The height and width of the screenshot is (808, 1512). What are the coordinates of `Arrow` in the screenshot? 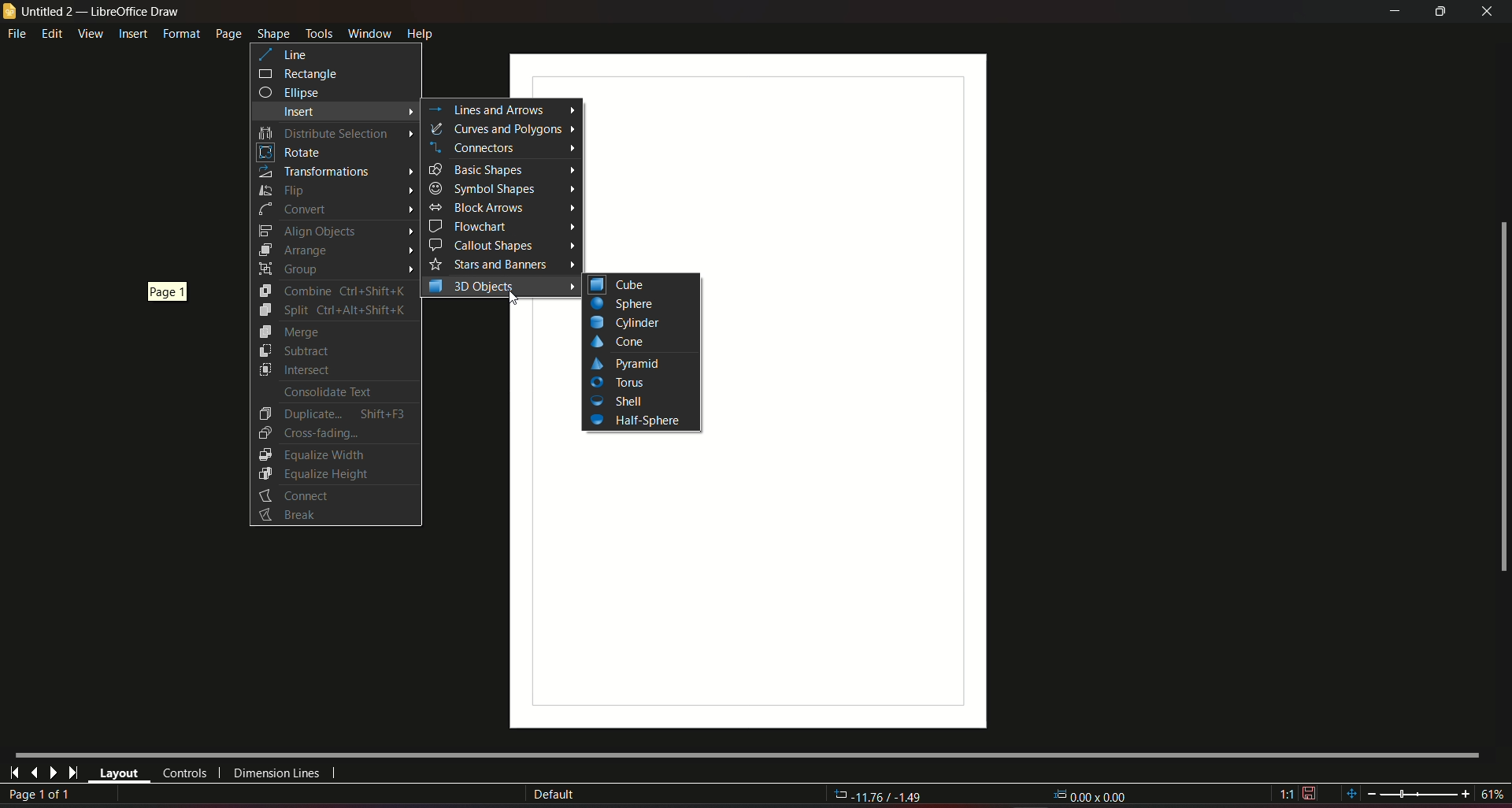 It's located at (408, 268).